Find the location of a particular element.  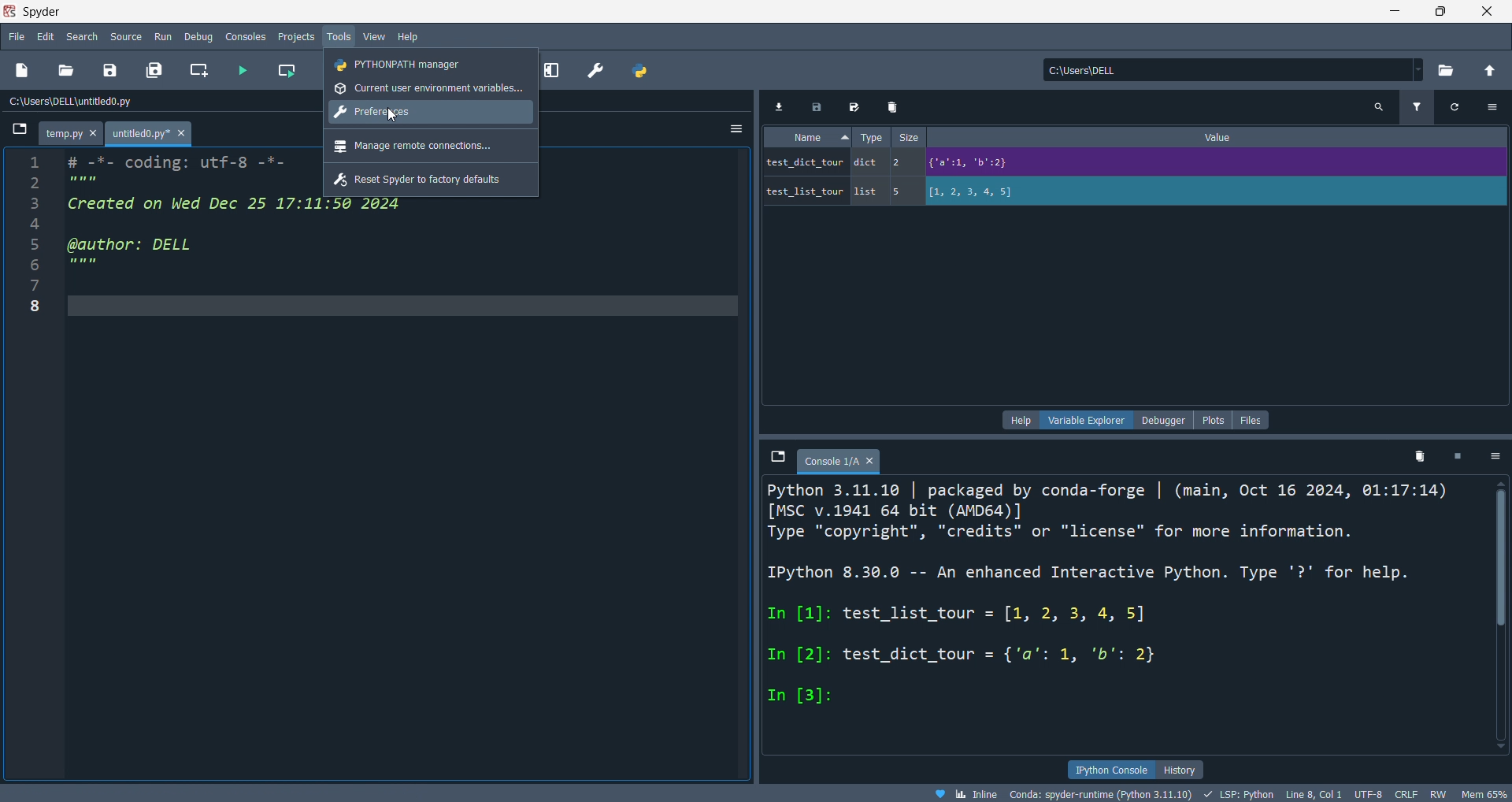

reset is located at coordinates (432, 178).